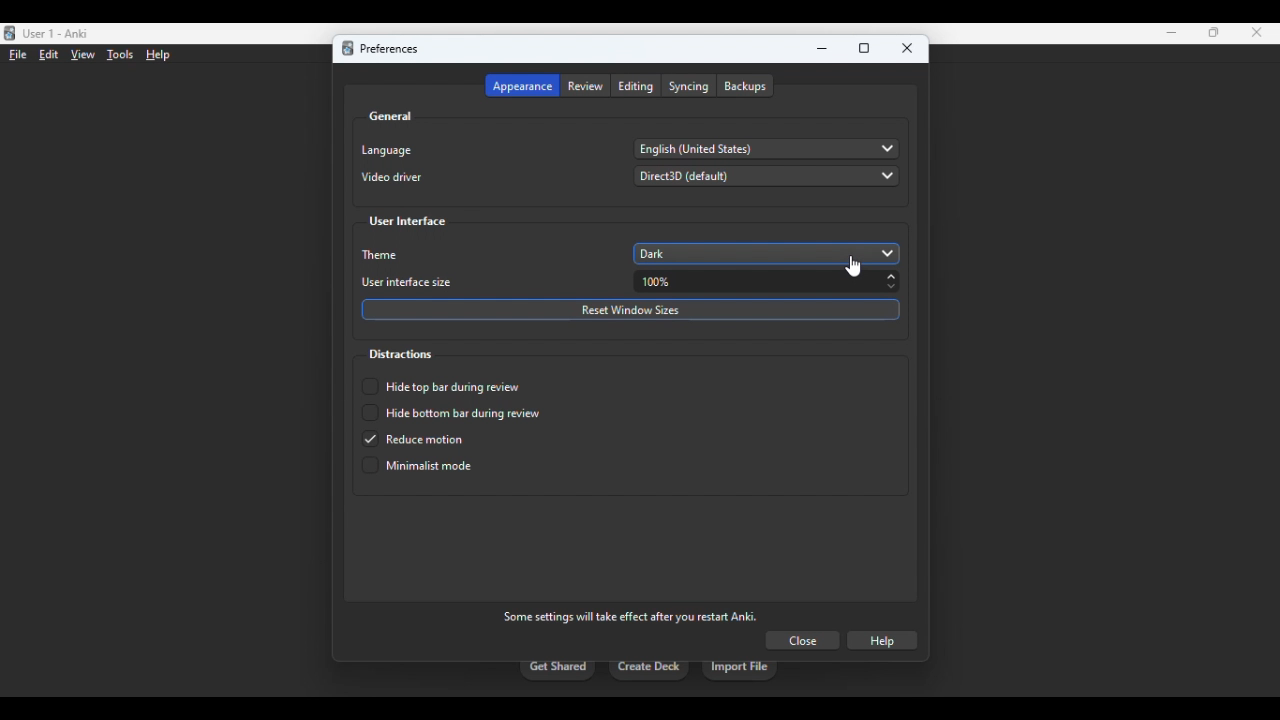  I want to click on logo, so click(10, 33).